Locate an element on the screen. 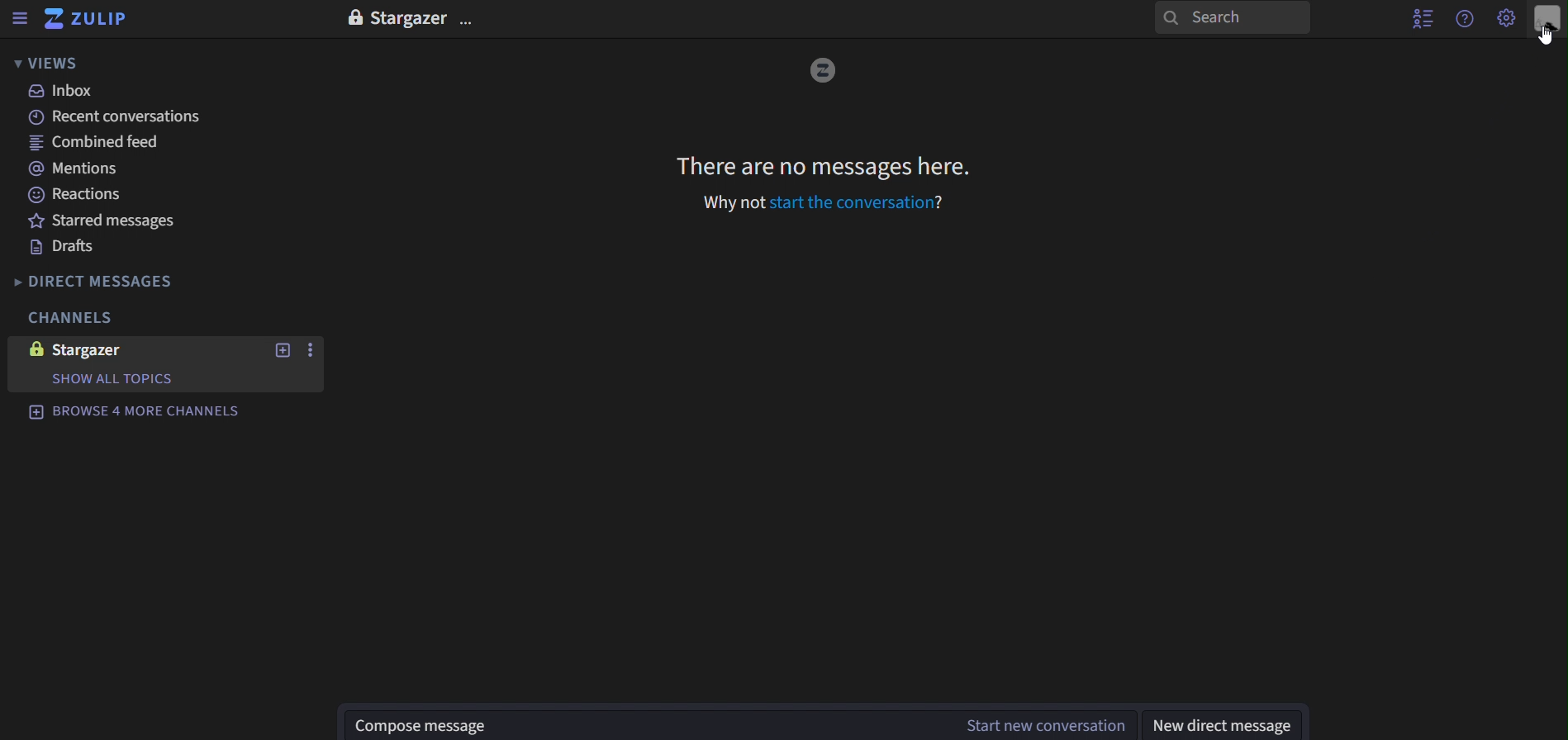  recent canversations is located at coordinates (120, 116).